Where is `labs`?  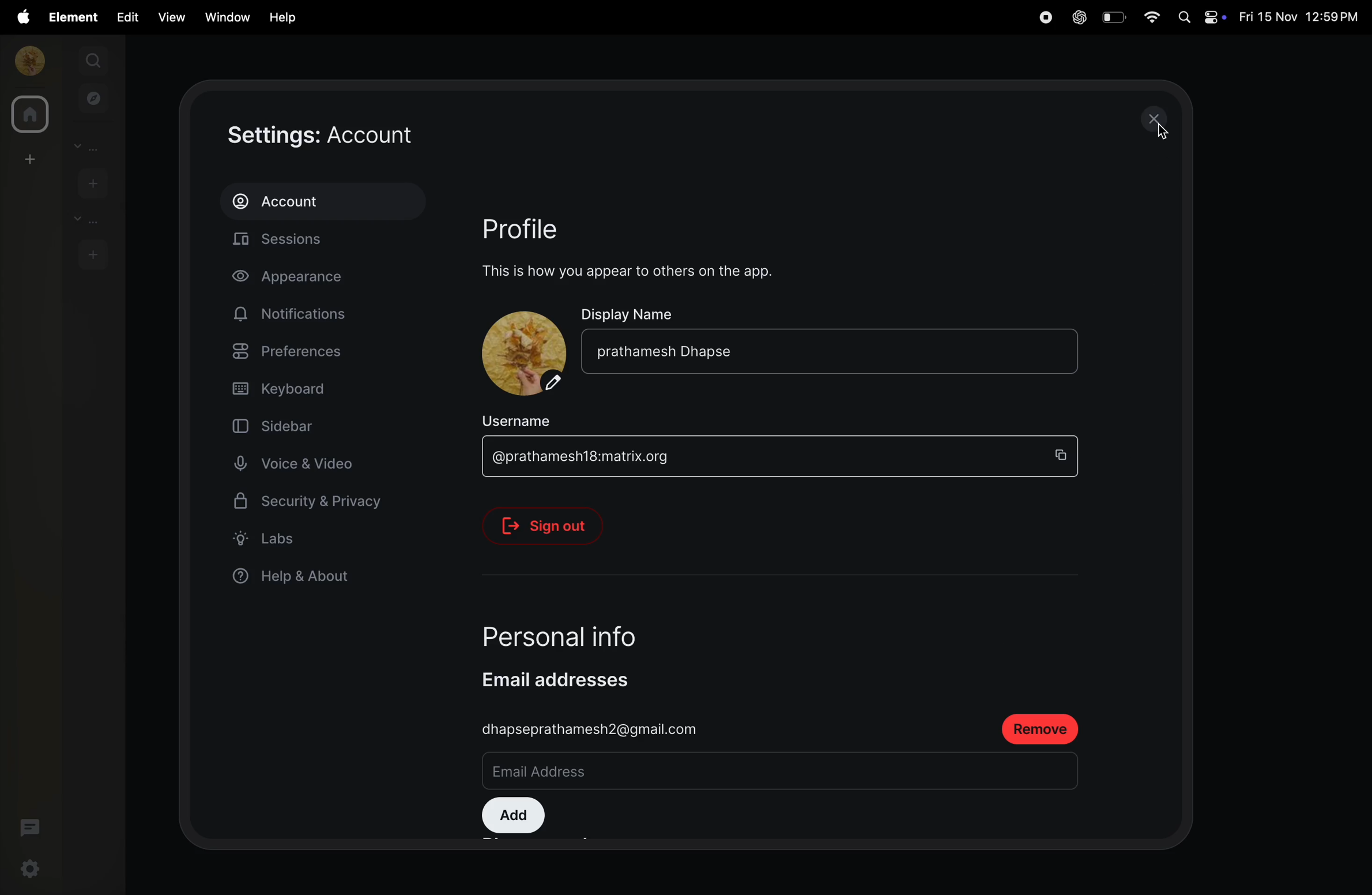 labs is located at coordinates (308, 538).